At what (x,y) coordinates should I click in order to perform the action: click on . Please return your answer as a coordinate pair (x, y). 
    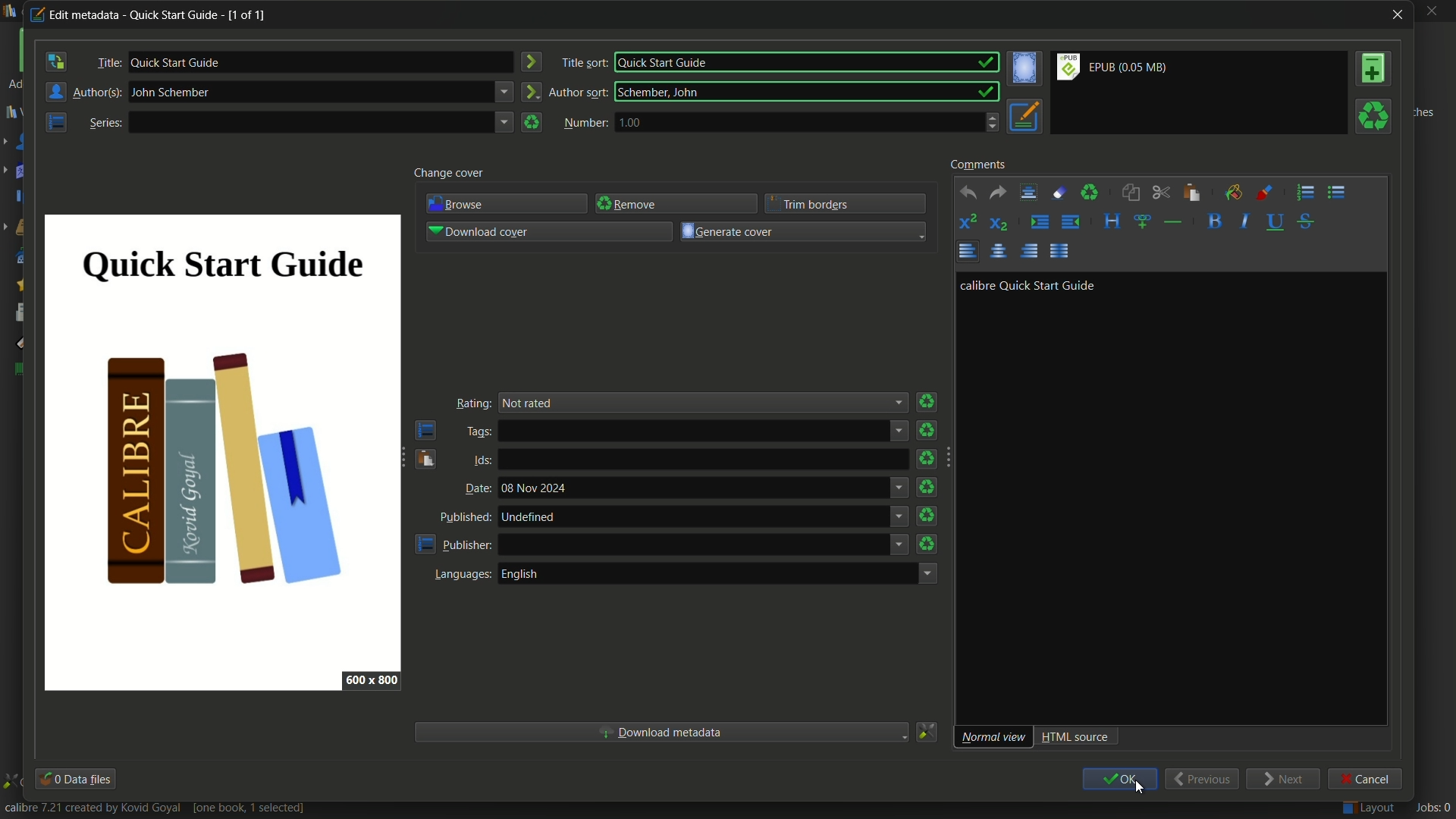
    Looking at the image, I should click on (266, 610).